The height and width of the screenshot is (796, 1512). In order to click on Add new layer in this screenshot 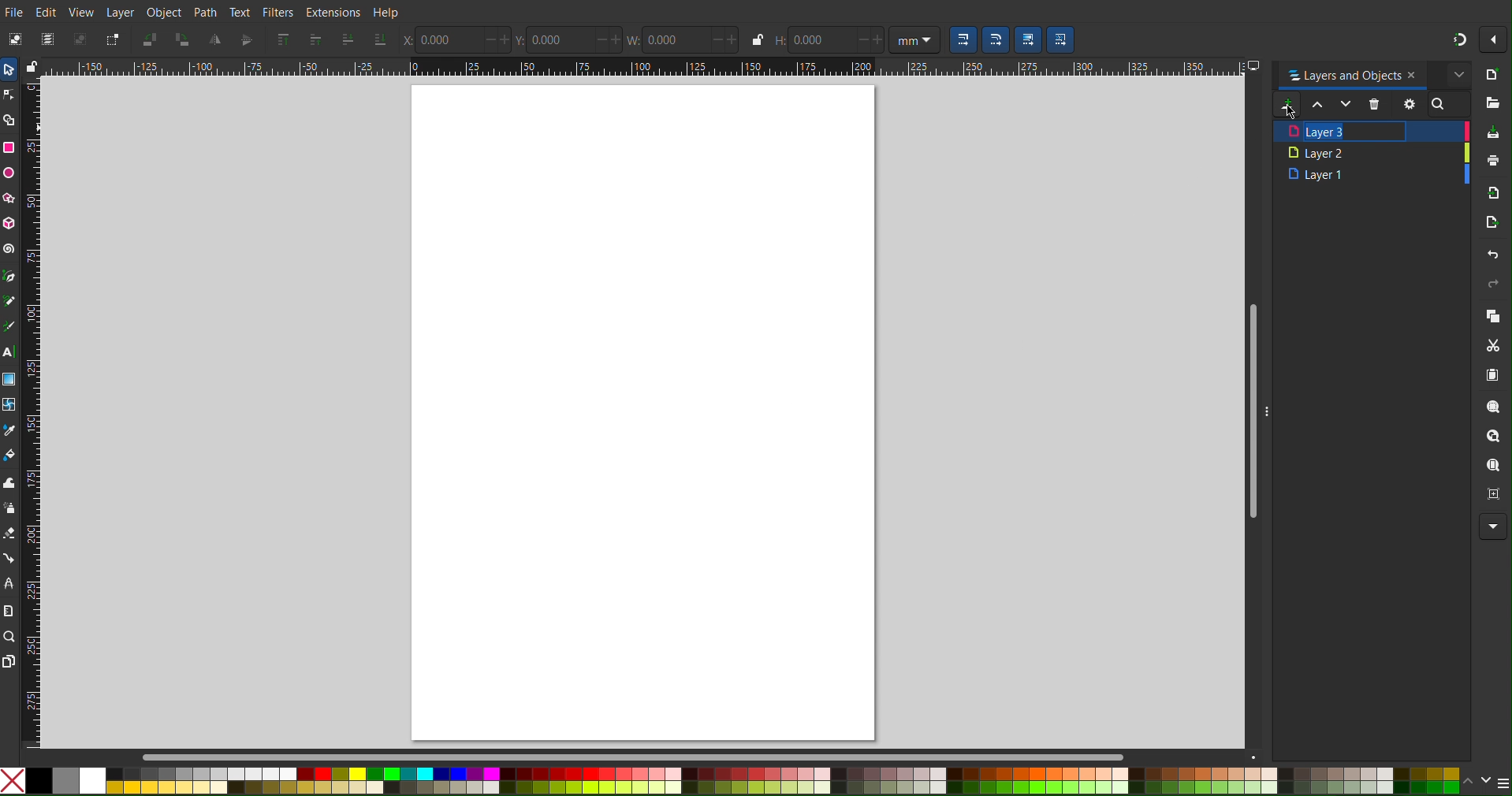, I will do `click(1286, 105)`.